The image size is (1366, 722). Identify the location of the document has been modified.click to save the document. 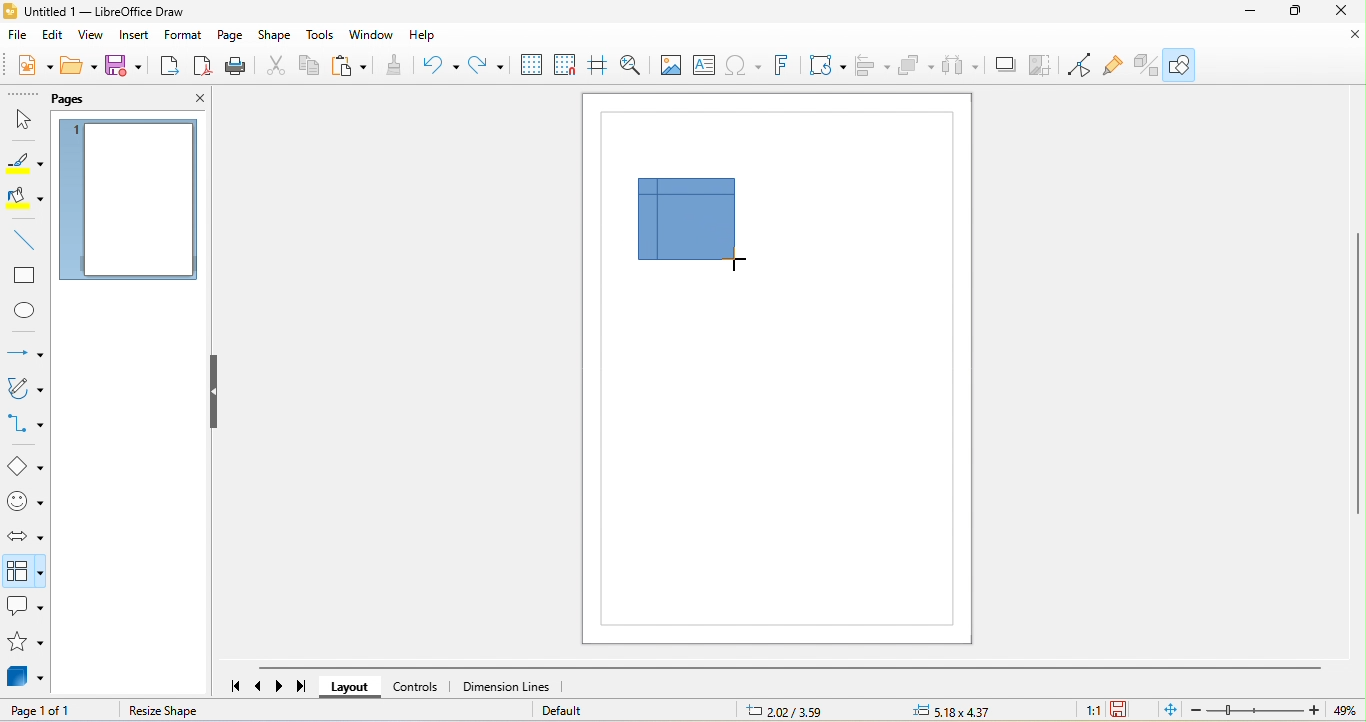
(1122, 710).